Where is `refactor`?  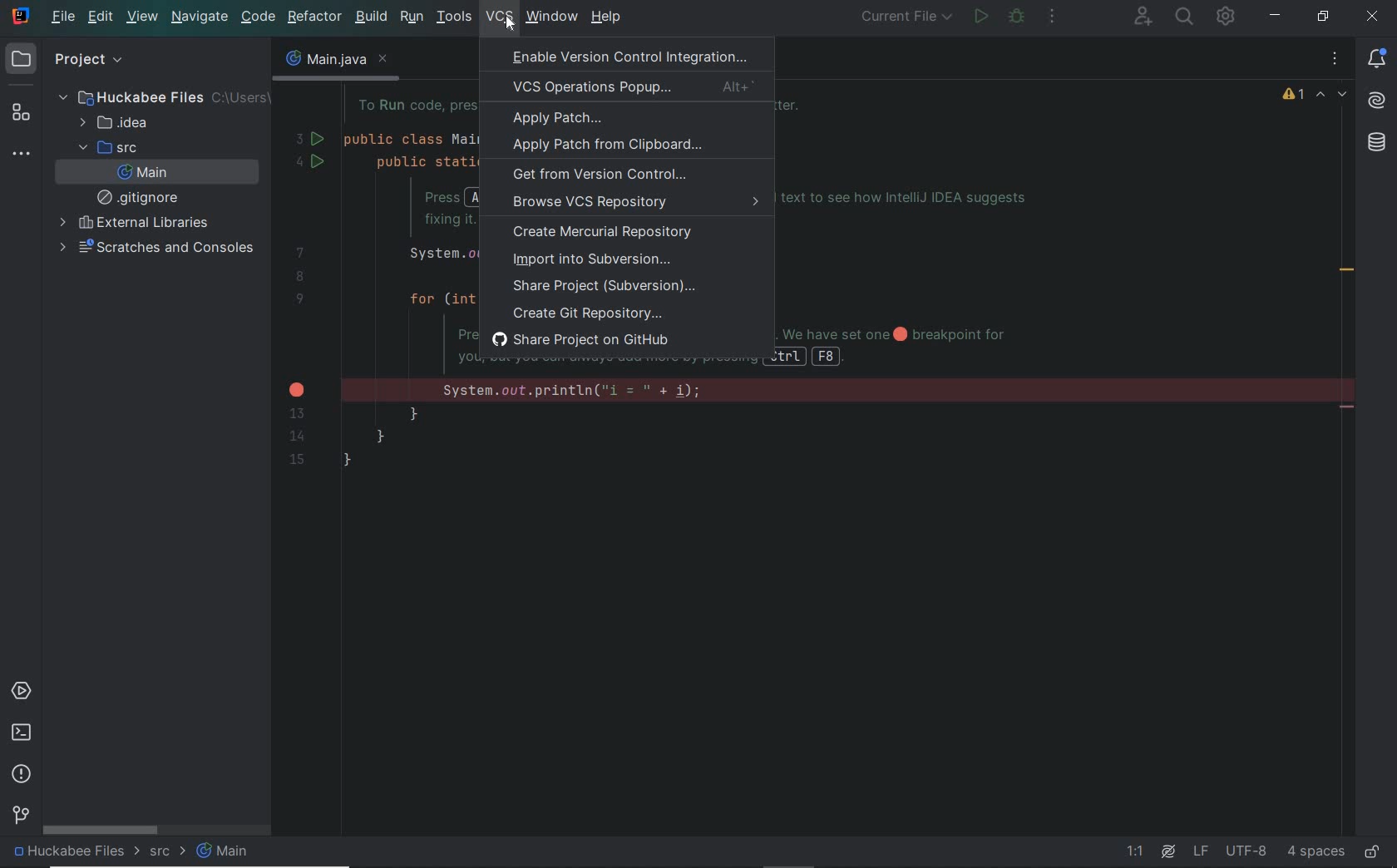 refactor is located at coordinates (315, 18).